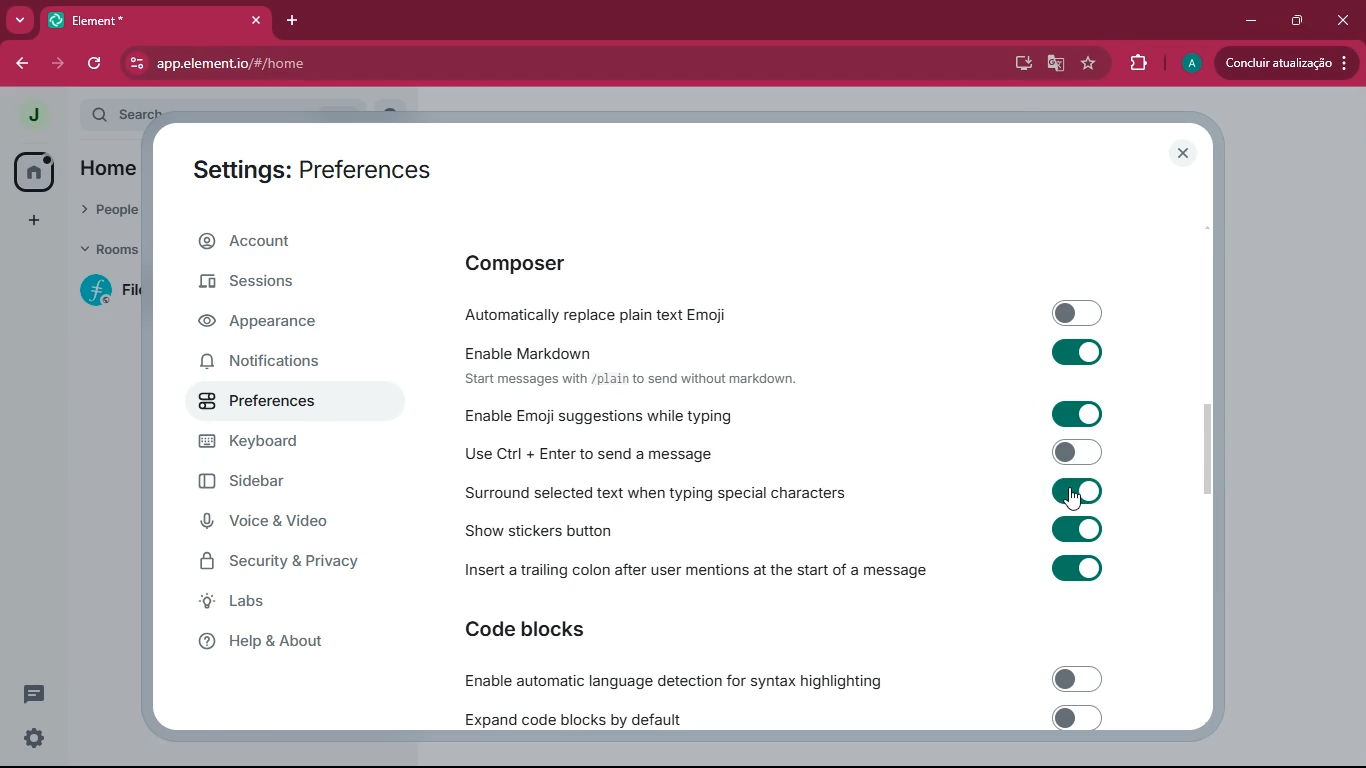 This screenshot has width=1366, height=768. Describe the element at coordinates (275, 483) in the screenshot. I see `sidebar` at that location.